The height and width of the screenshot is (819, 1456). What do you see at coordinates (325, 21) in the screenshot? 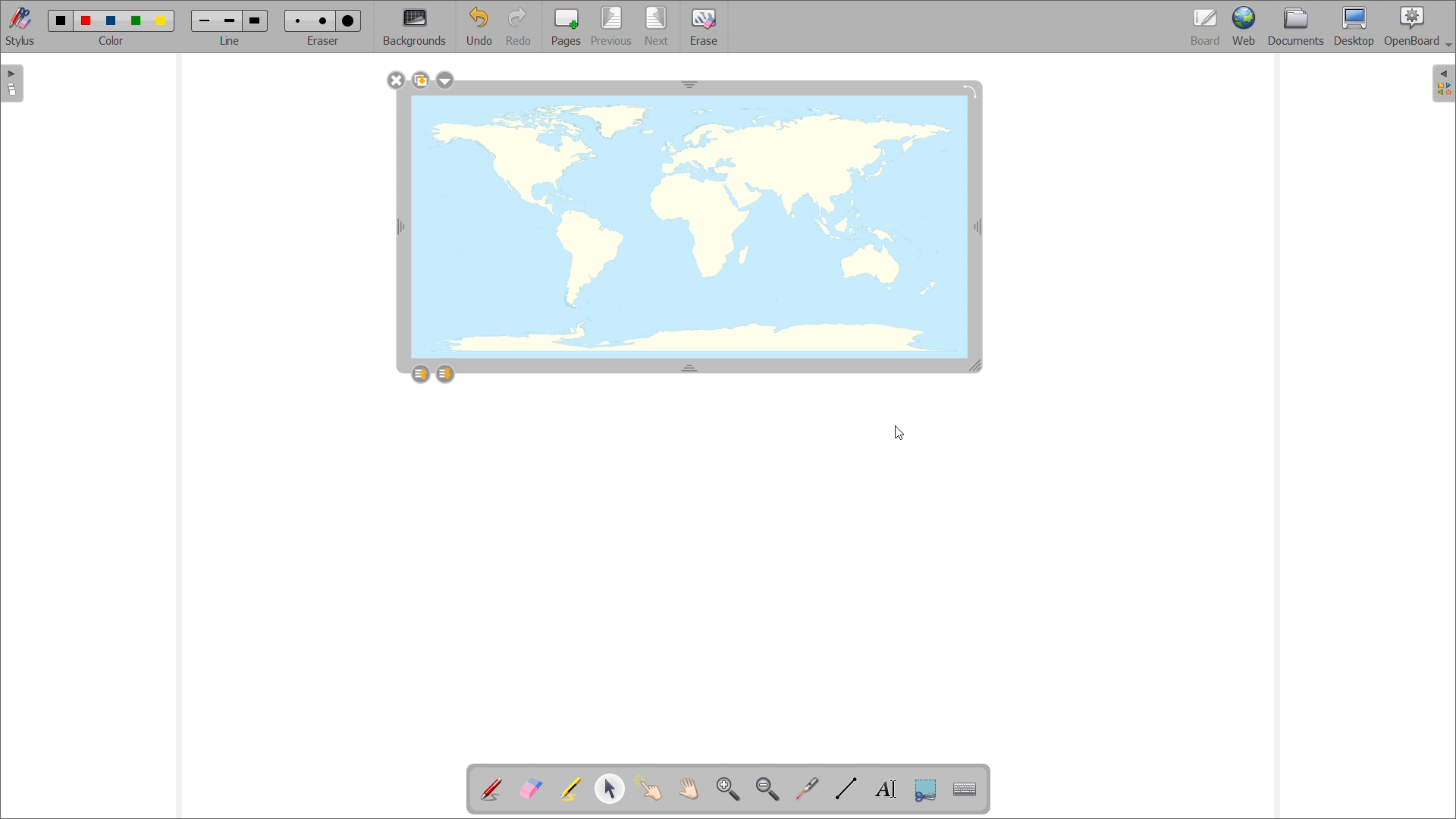
I see `medium` at bounding box center [325, 21].